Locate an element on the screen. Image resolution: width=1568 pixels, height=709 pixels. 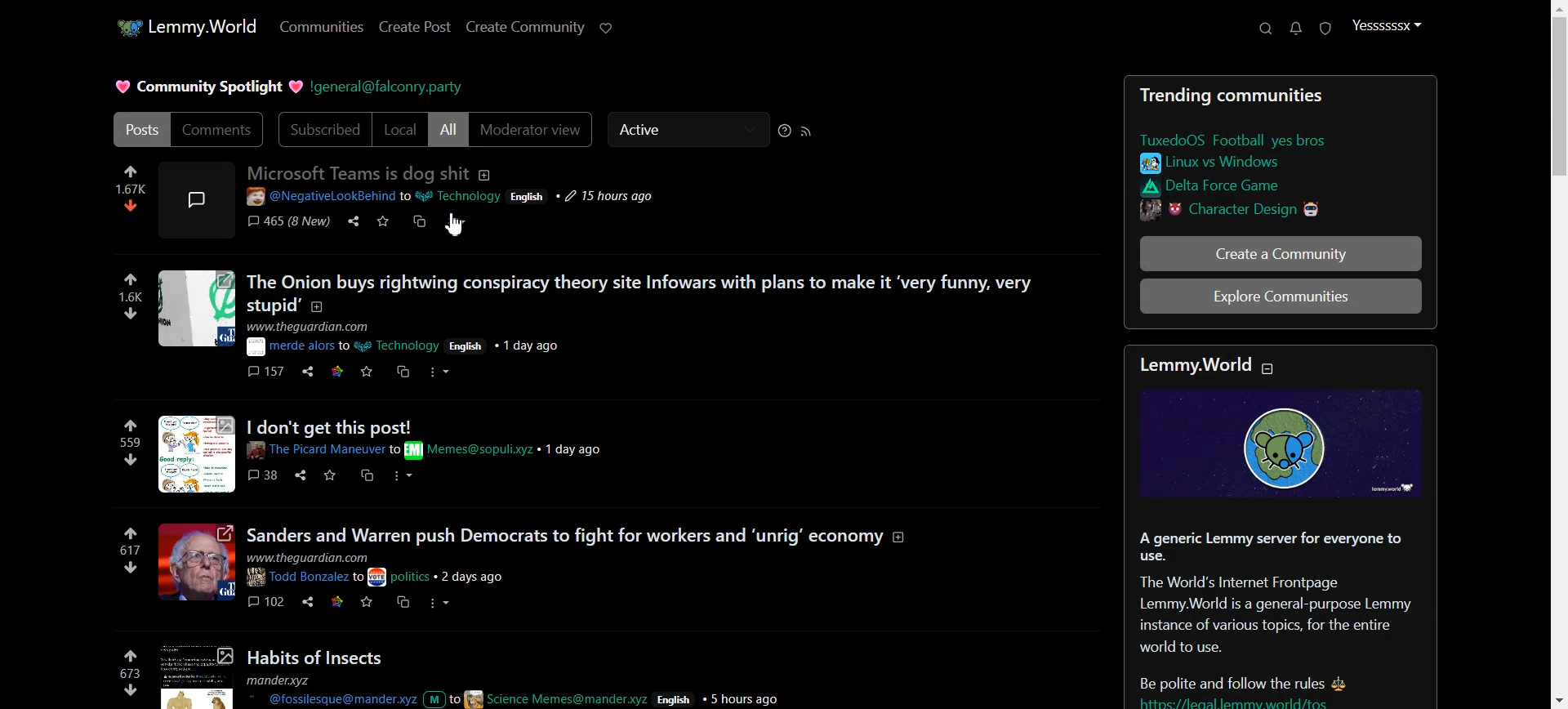
cs is located at coordinates (367, 477).